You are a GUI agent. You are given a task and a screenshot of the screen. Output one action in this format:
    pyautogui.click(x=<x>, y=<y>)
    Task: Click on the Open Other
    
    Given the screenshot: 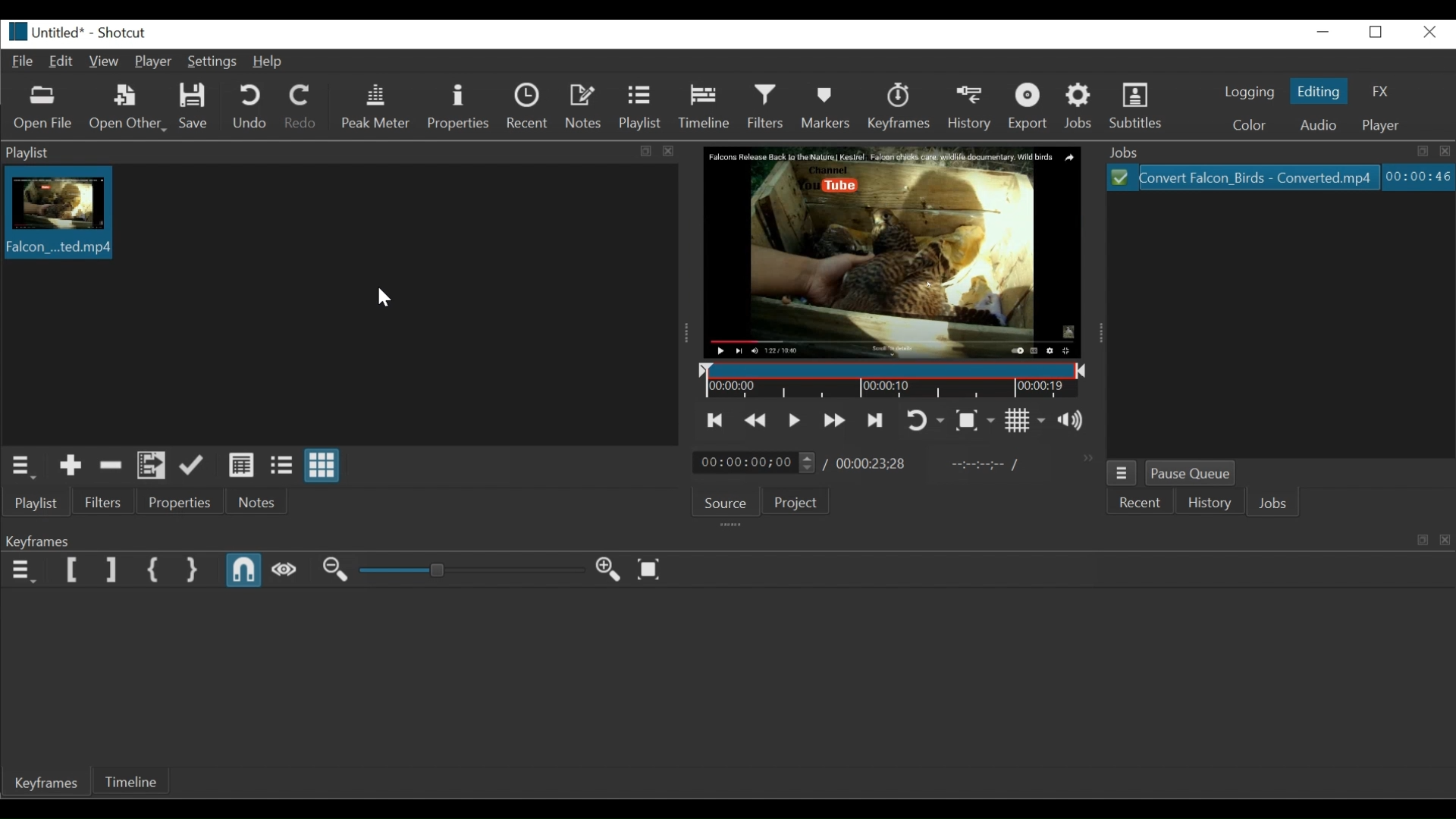 What is the action you would take?
    pyautogui.click(x=128, y=108)
    